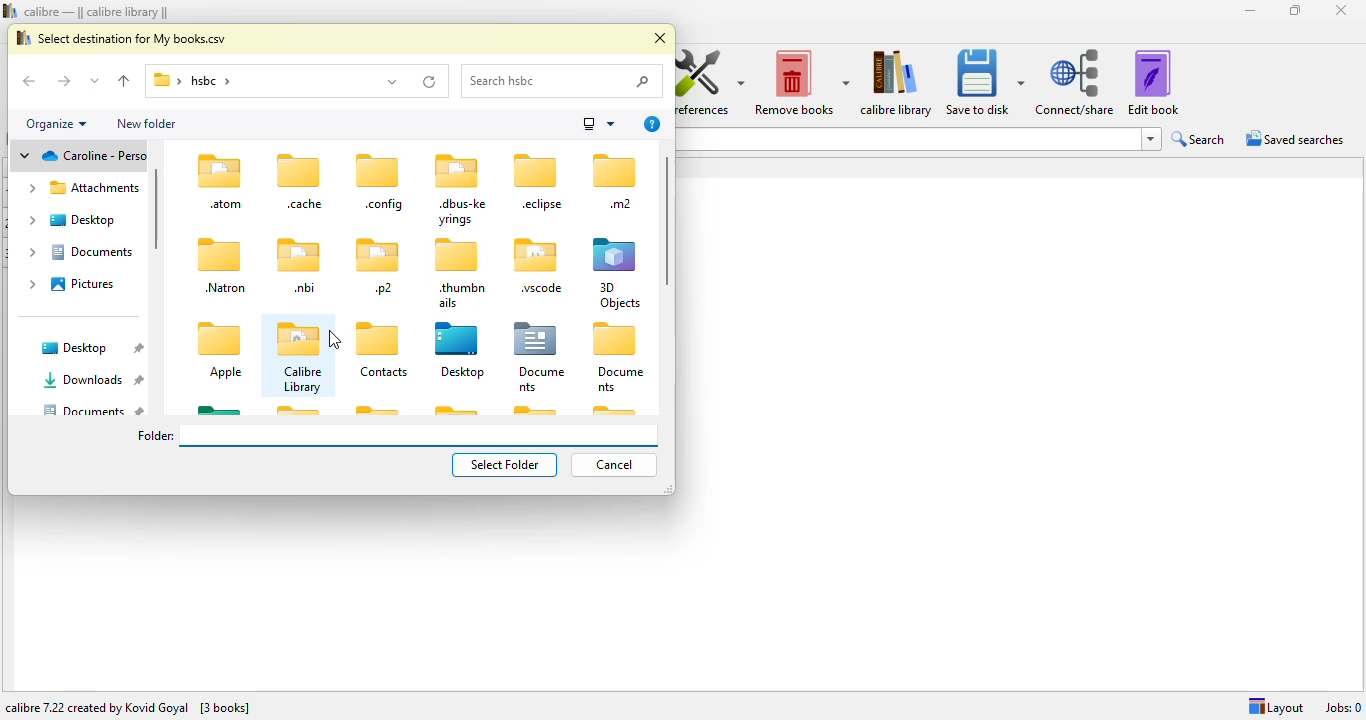 This screenshot has height=720, width=1366. What do you see at coordinates (801, 82) in the screenshot?
I see `remove books` at bounding box center [801, 82].